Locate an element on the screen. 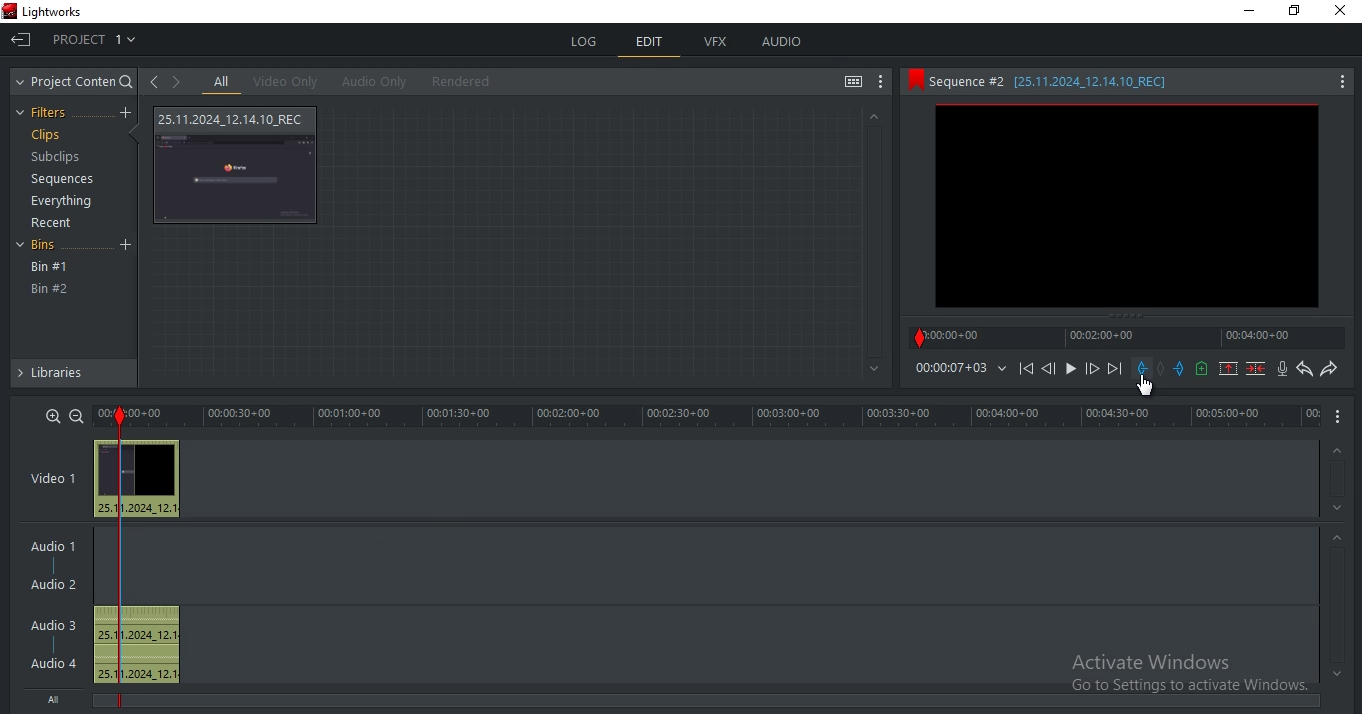 Image resolution: width=1362 pixels, height=714 pixels. Lightworks is located at coordinates (82, 11).